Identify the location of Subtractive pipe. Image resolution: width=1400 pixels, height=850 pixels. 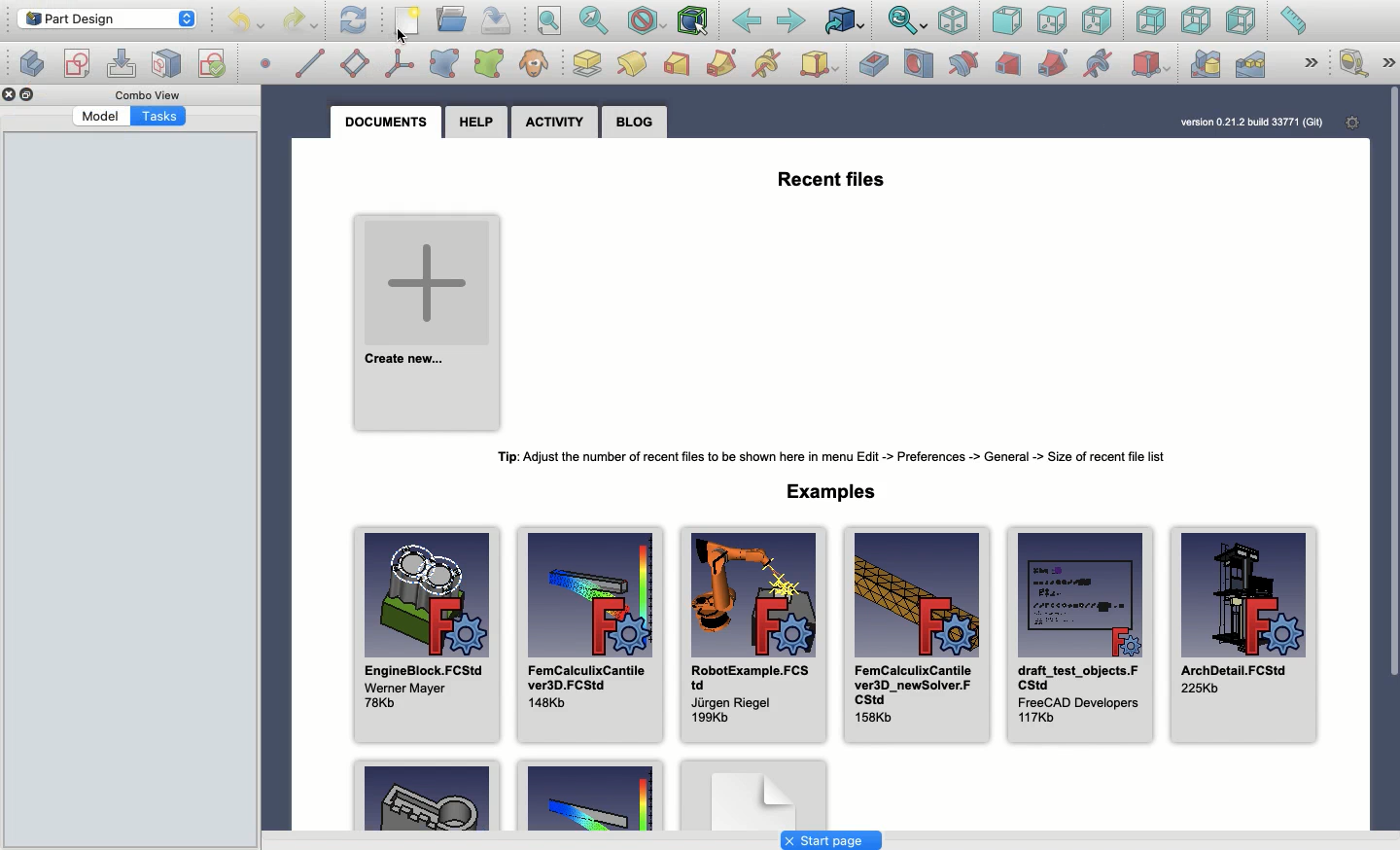
(1054, 62).